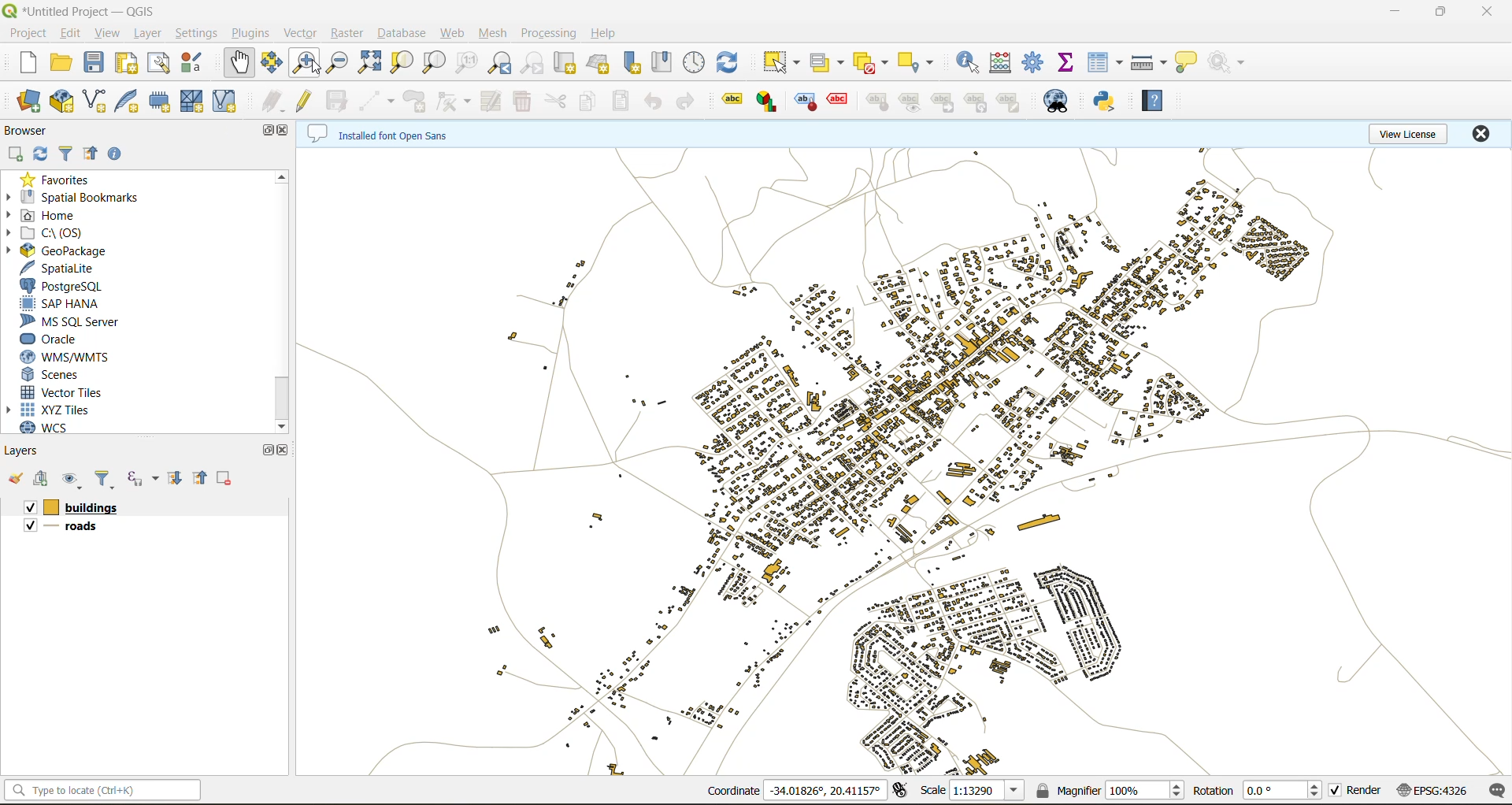 This screenshot has width=1512, height=805. What do you see at coordinates (1408, 132) in the screenshot?
I see `view license` at bounding box center [1408, 132].